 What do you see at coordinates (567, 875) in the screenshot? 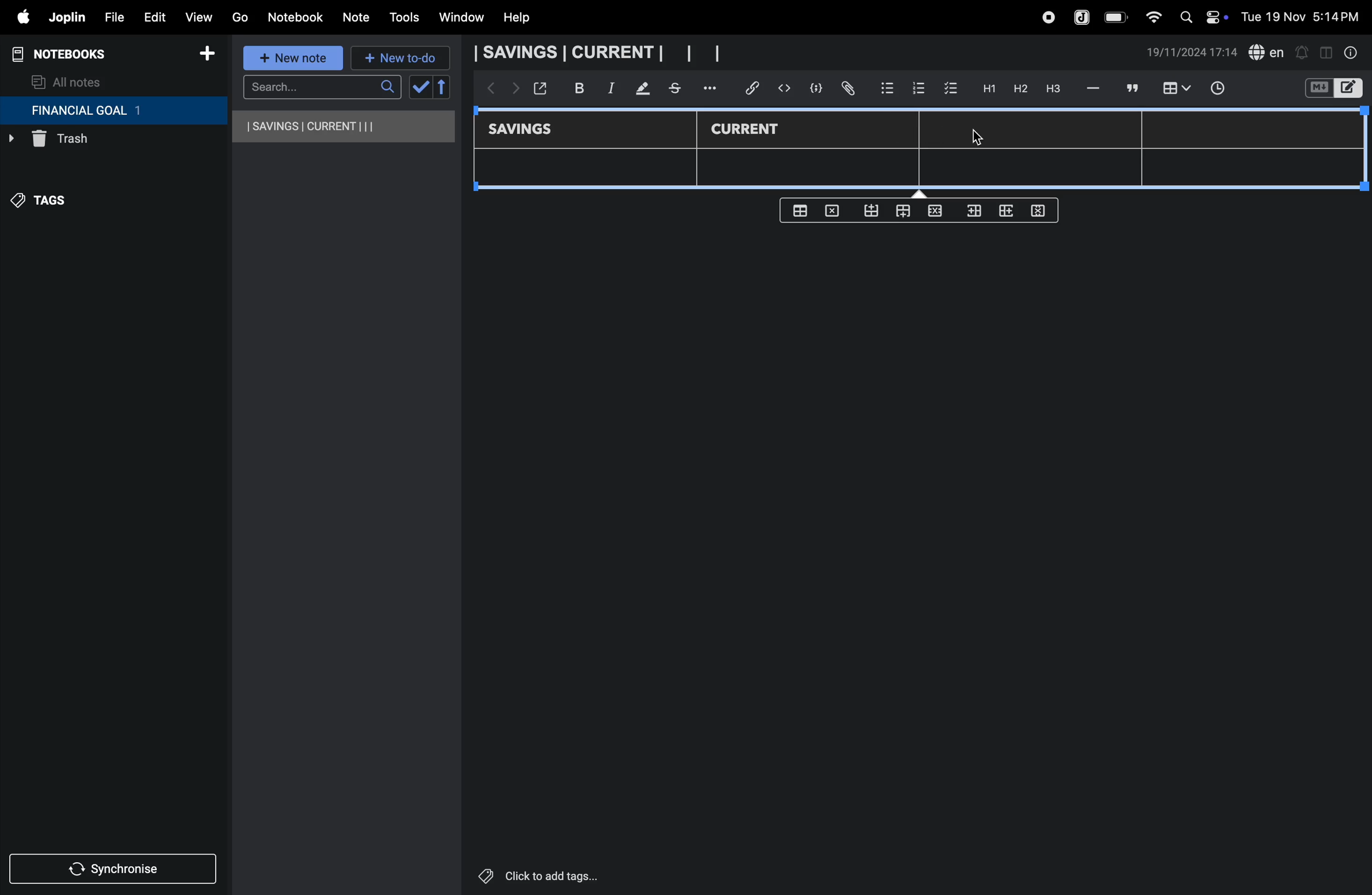
I see `click to add tags` at bounding box center [567, 875].